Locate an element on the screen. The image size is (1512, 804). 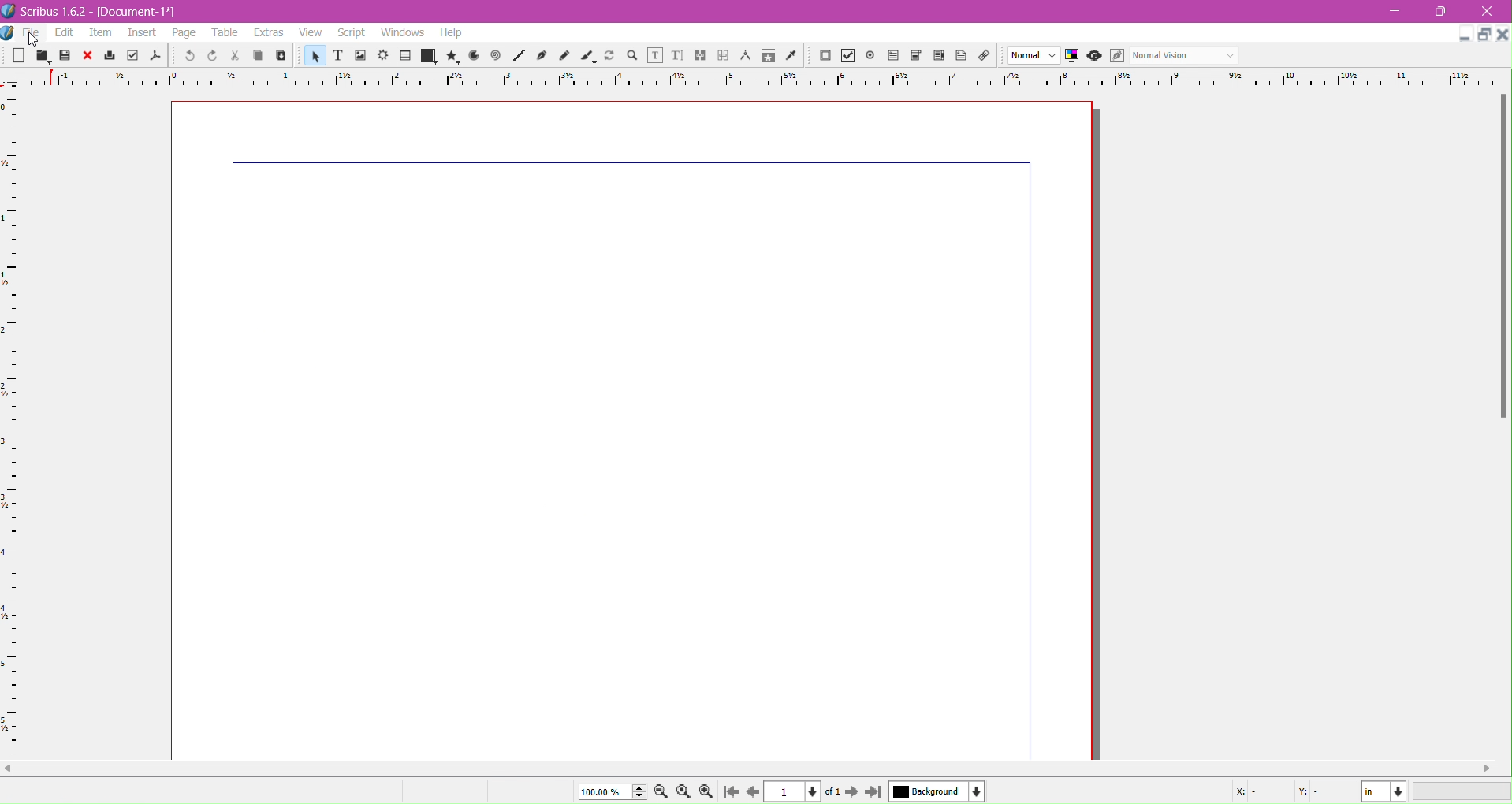
eye dropper is located at coordinates (795, 57).